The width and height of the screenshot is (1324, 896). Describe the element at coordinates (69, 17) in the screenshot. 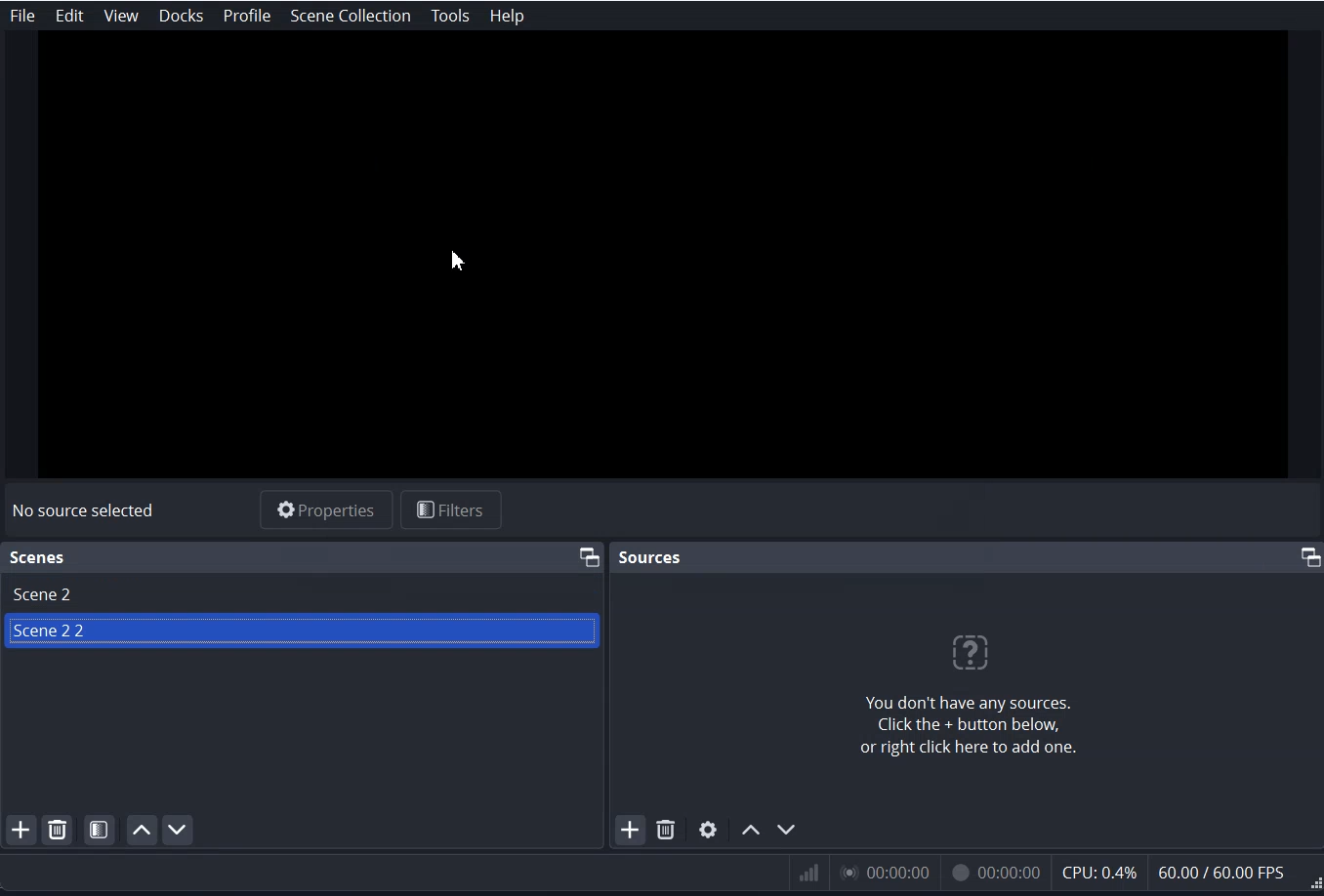

I see `Edit` at that location.